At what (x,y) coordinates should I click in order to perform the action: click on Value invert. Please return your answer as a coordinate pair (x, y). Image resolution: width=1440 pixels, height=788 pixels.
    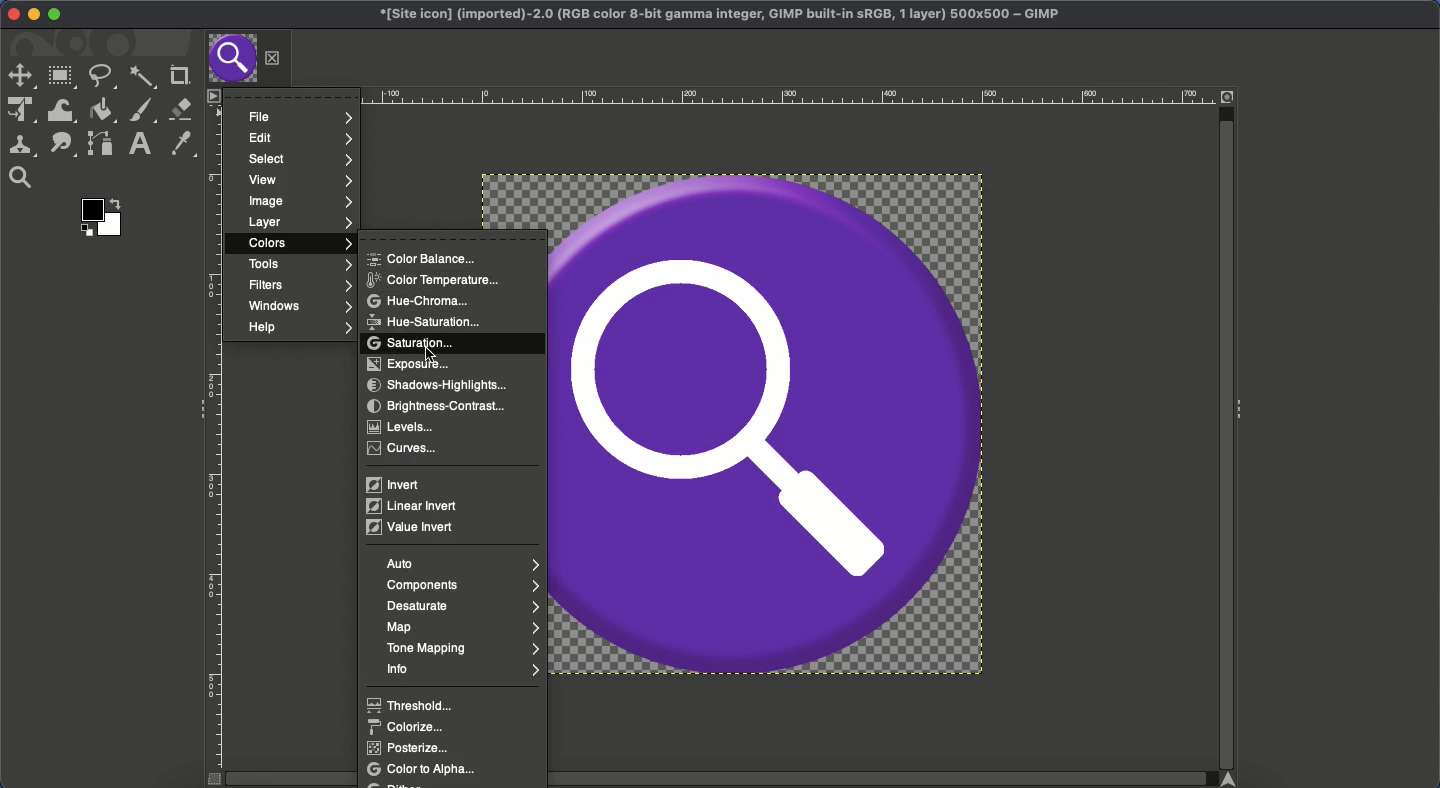
    Looking at the image, I should click on (411, 527).